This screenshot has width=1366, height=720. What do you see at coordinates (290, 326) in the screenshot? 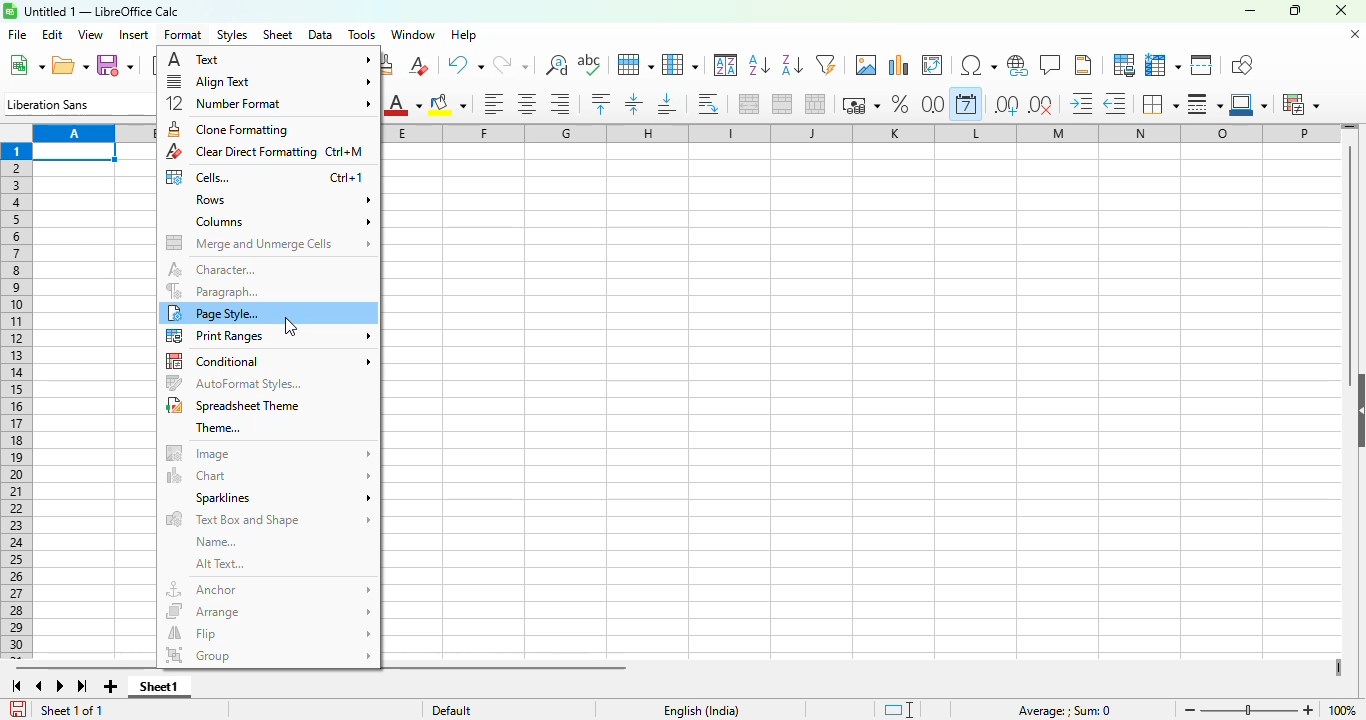
I see `cursor` at bounding box center [290, 326].